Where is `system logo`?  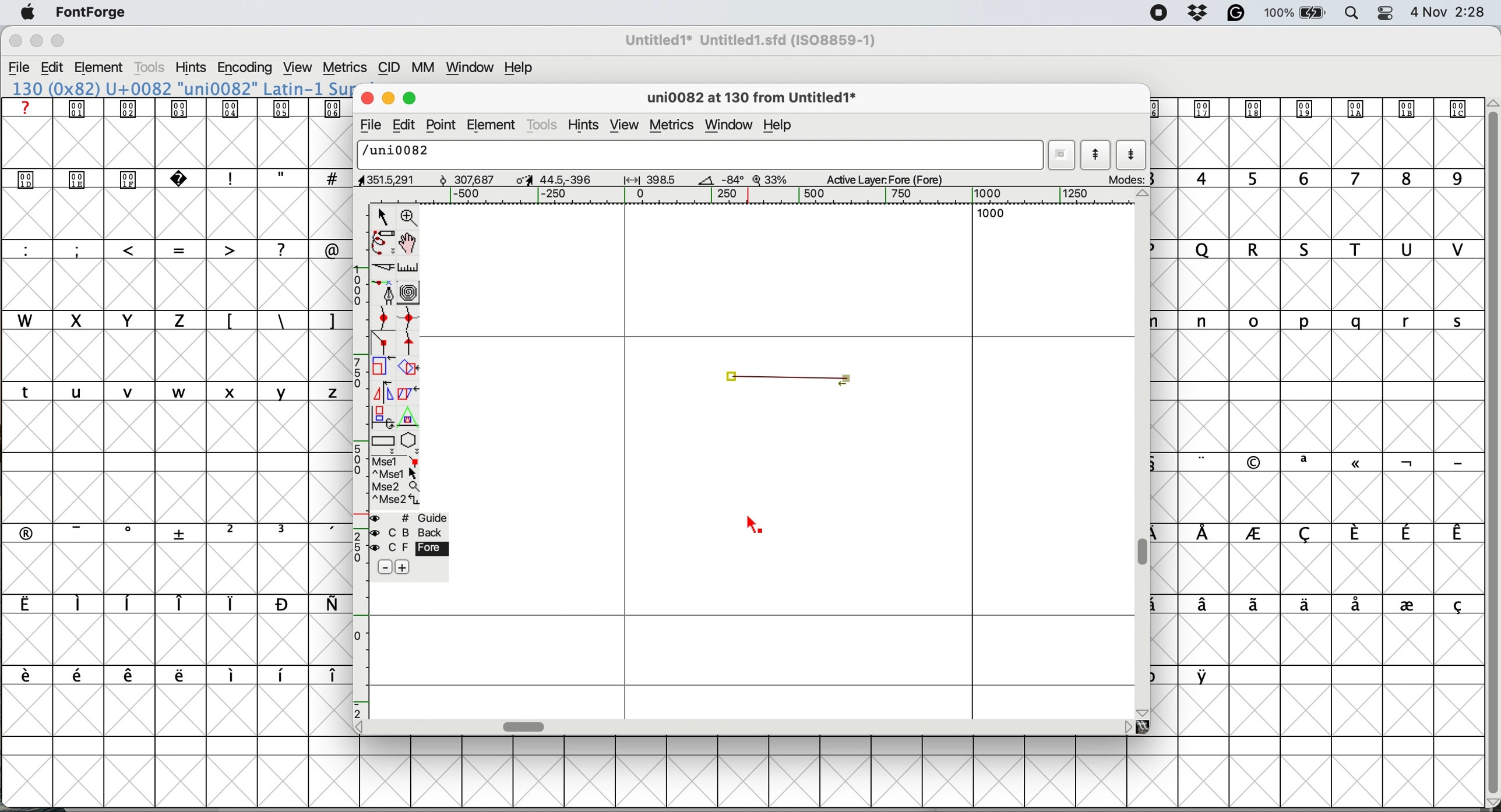
system logo is located at coordinates (28, 13).